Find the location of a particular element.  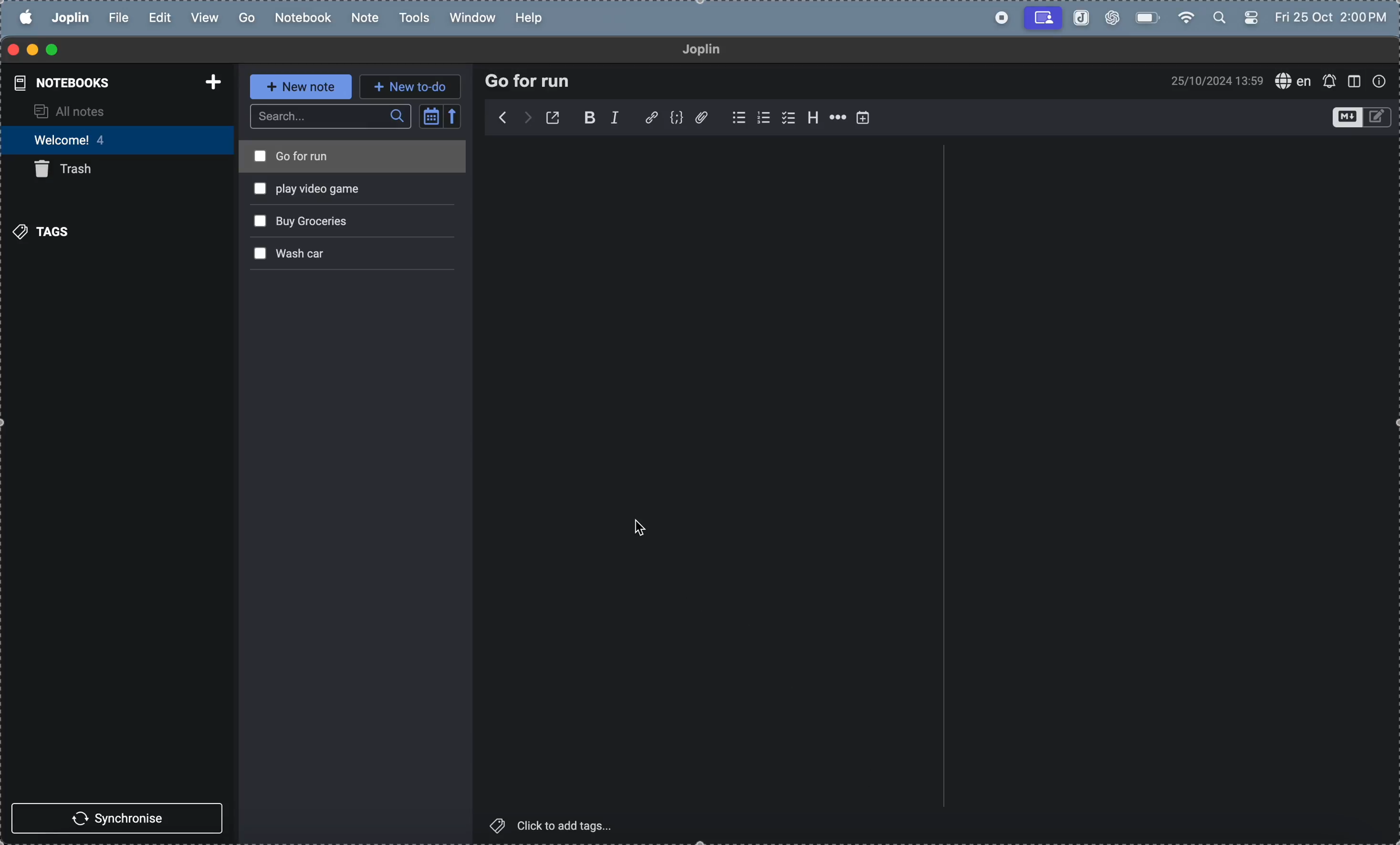

wifi is located at coordinates (1186, 17).